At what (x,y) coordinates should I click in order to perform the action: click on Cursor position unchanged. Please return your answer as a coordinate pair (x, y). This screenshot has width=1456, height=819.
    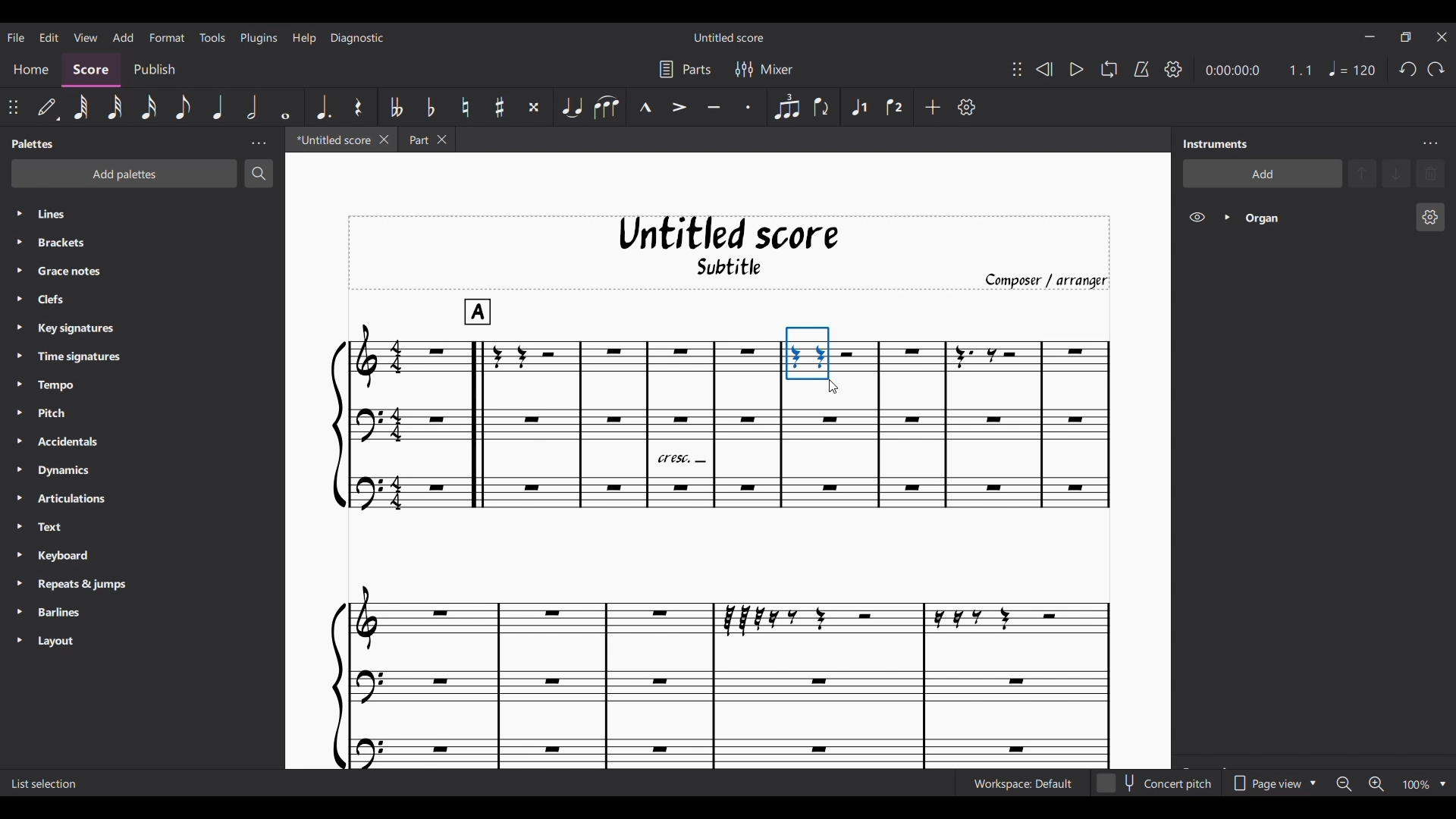
    Looking at the image, I should click on (833, 386).